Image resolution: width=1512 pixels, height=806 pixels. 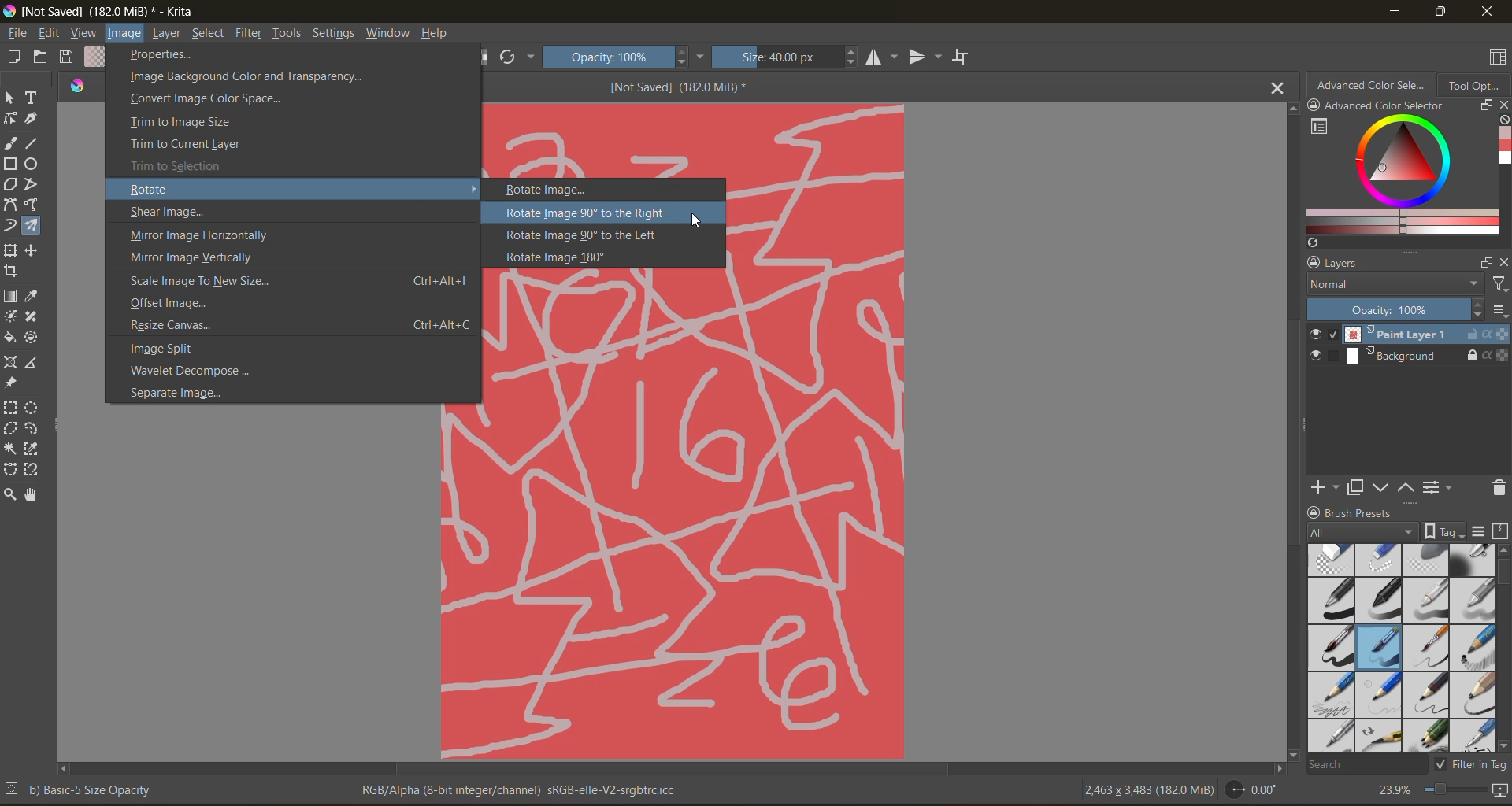 I want to click on fill gradients, so click(x=98, y=57).